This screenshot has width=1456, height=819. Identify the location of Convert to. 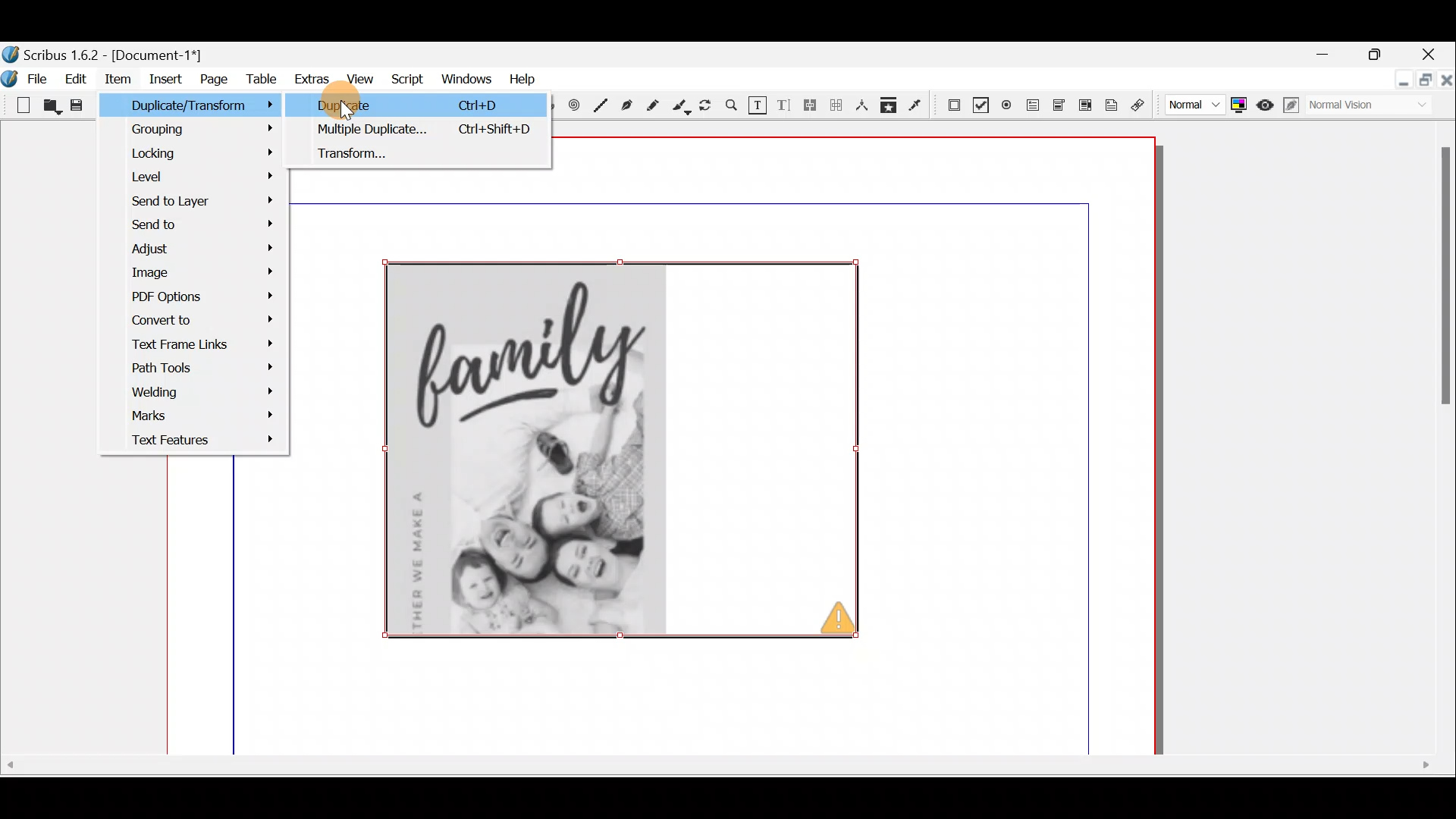
(202, 318).